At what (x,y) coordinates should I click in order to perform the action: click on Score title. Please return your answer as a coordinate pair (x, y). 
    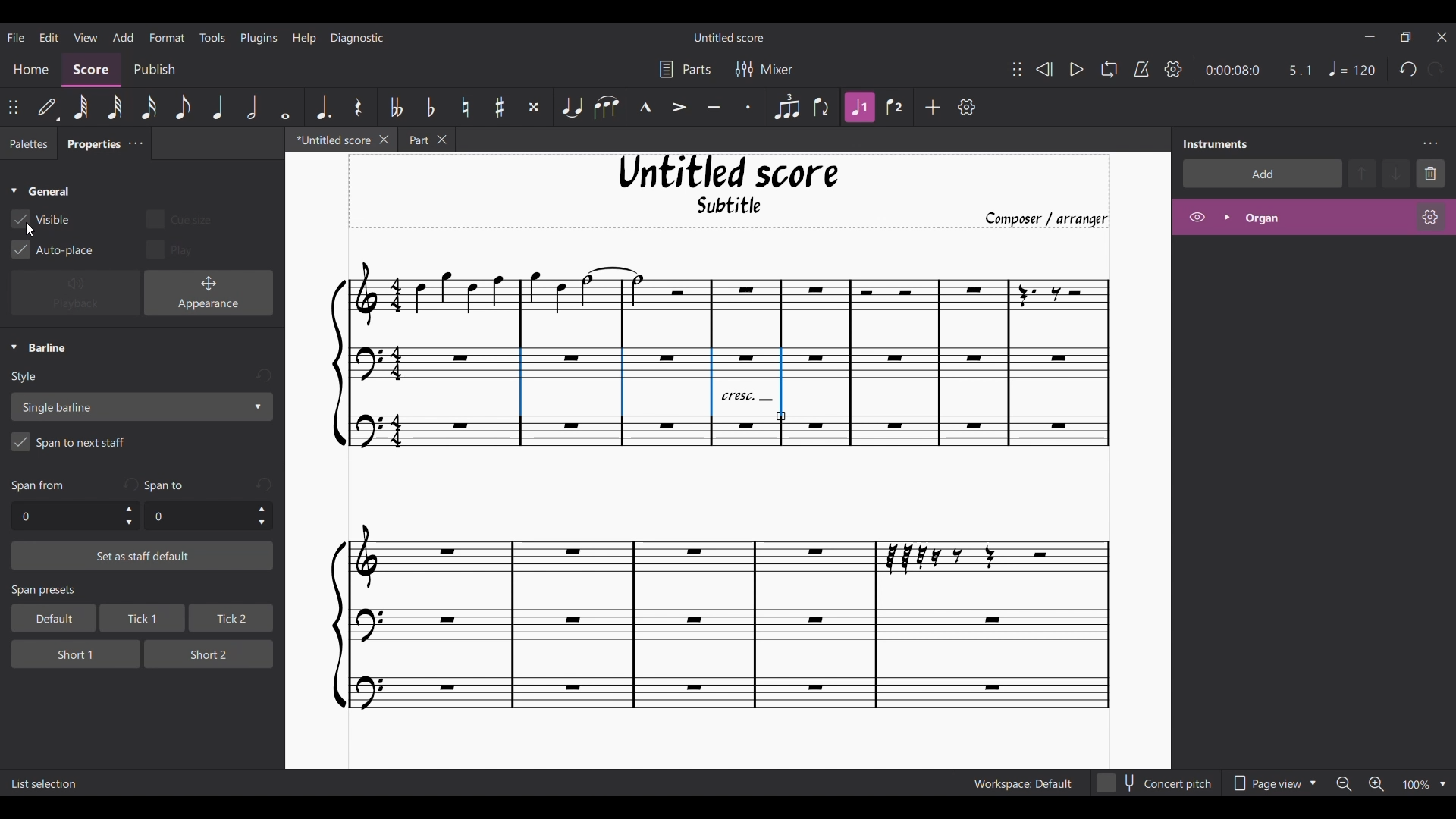
    Looking at the image, I should click on (728, 37).